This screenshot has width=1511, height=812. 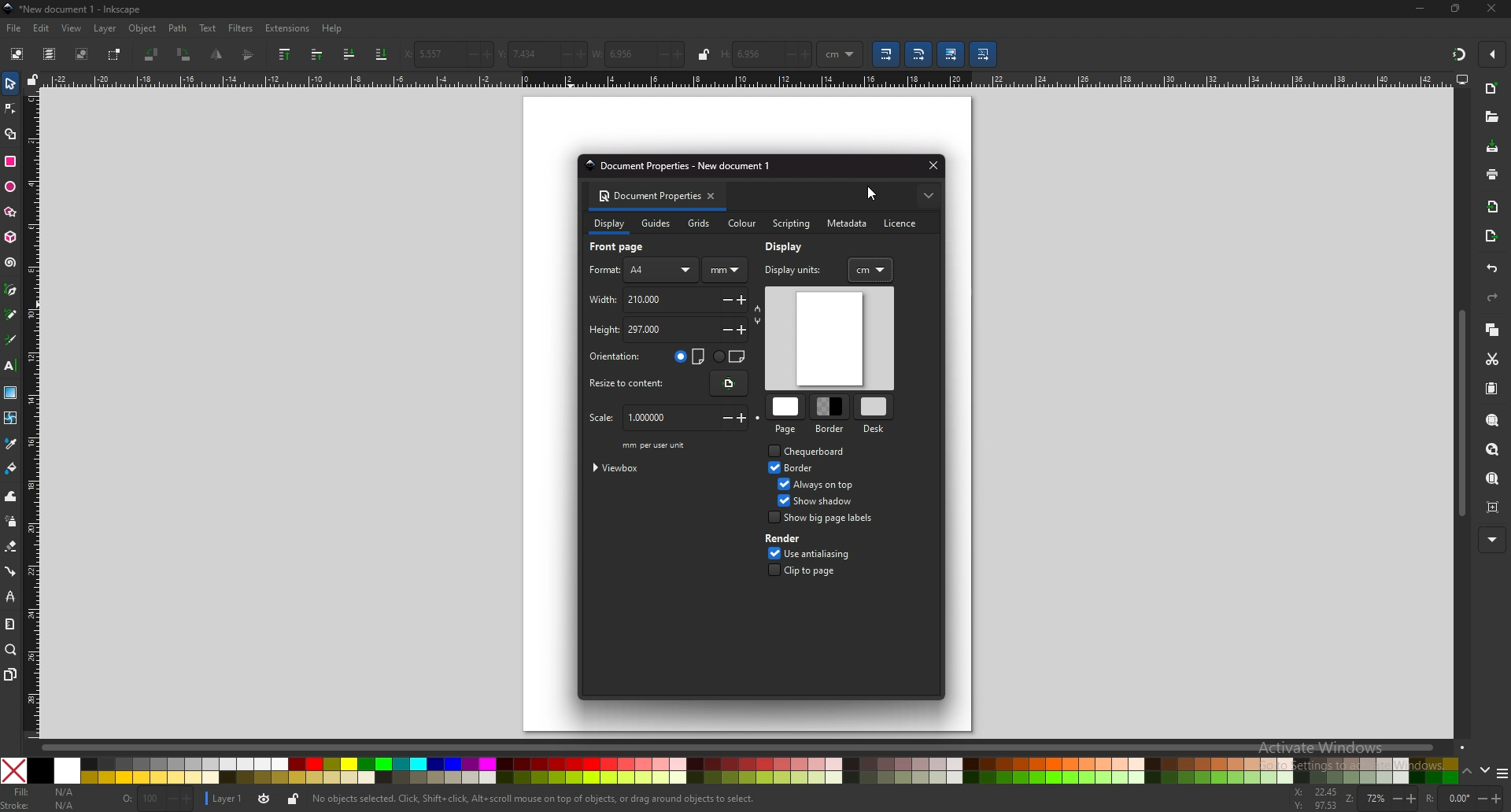 I want to click on toggle selection box, so click(x=115, y=54).